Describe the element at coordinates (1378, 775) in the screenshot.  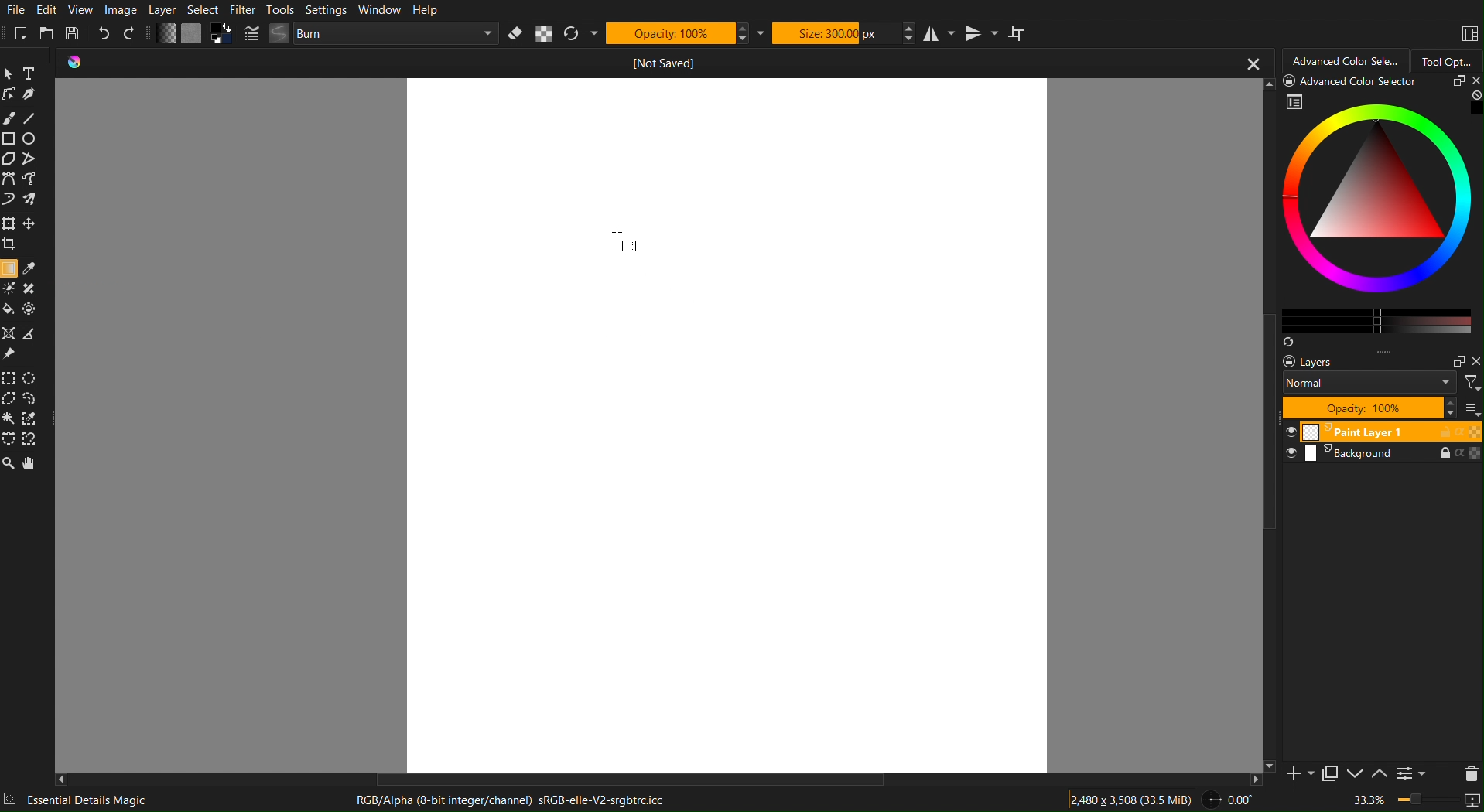
I see `Up` at that location.